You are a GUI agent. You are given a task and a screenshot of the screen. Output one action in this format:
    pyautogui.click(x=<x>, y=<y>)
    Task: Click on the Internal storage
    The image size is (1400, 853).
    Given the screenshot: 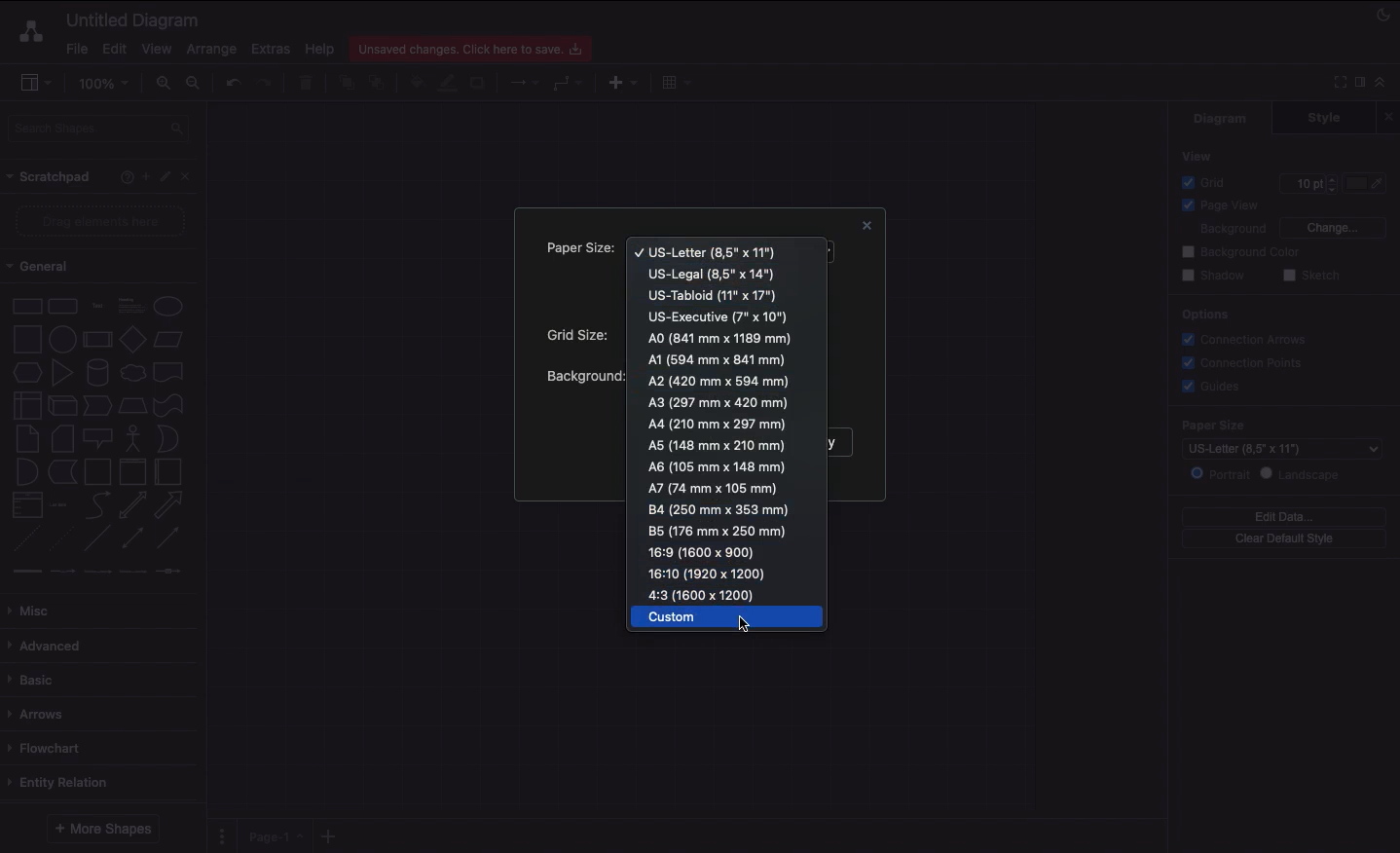 What is the action you would take?
    pyautogui.click(x=26, y=404)
    